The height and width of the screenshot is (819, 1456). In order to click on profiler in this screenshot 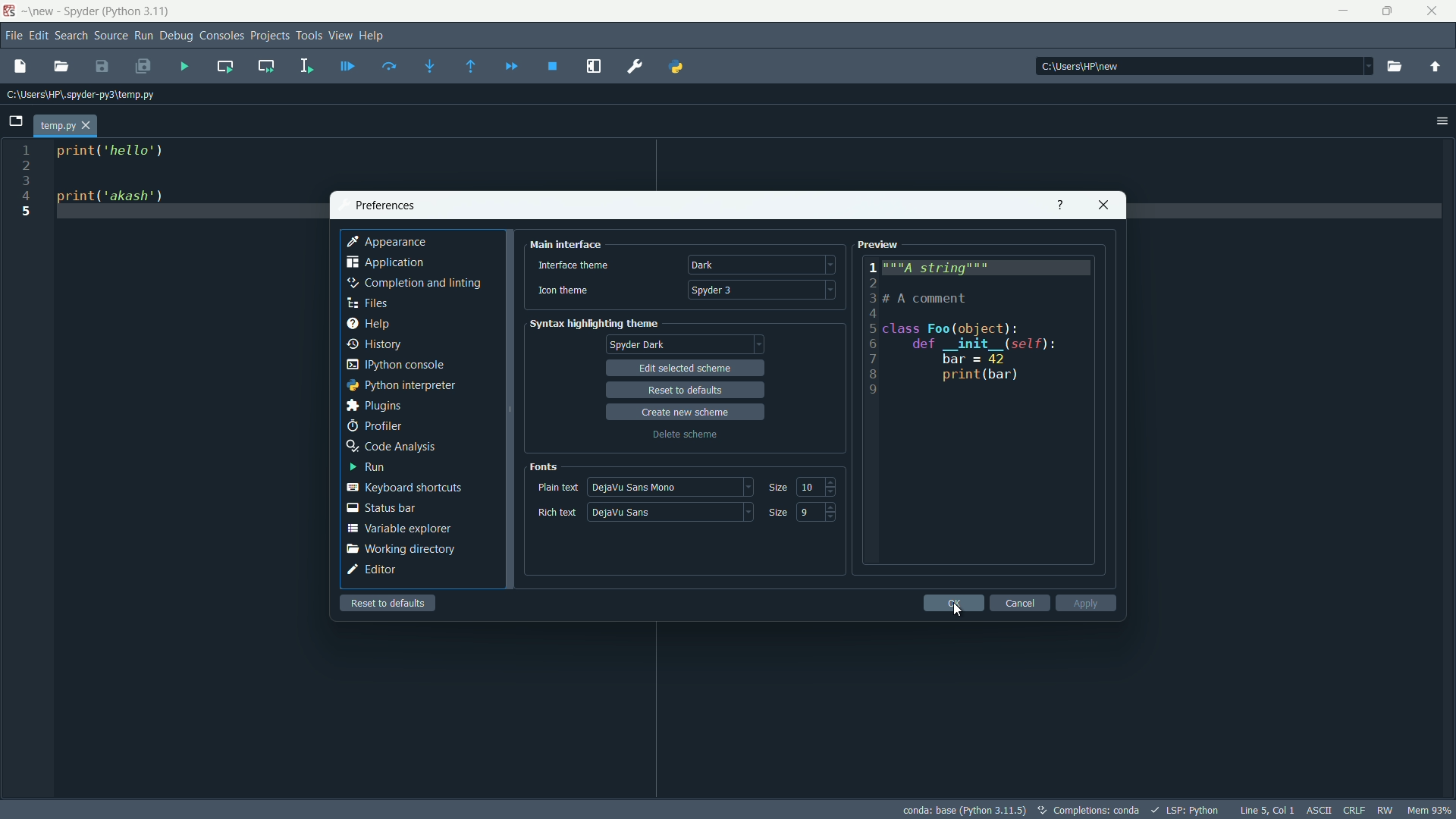, I will do `click(375, 427)`.